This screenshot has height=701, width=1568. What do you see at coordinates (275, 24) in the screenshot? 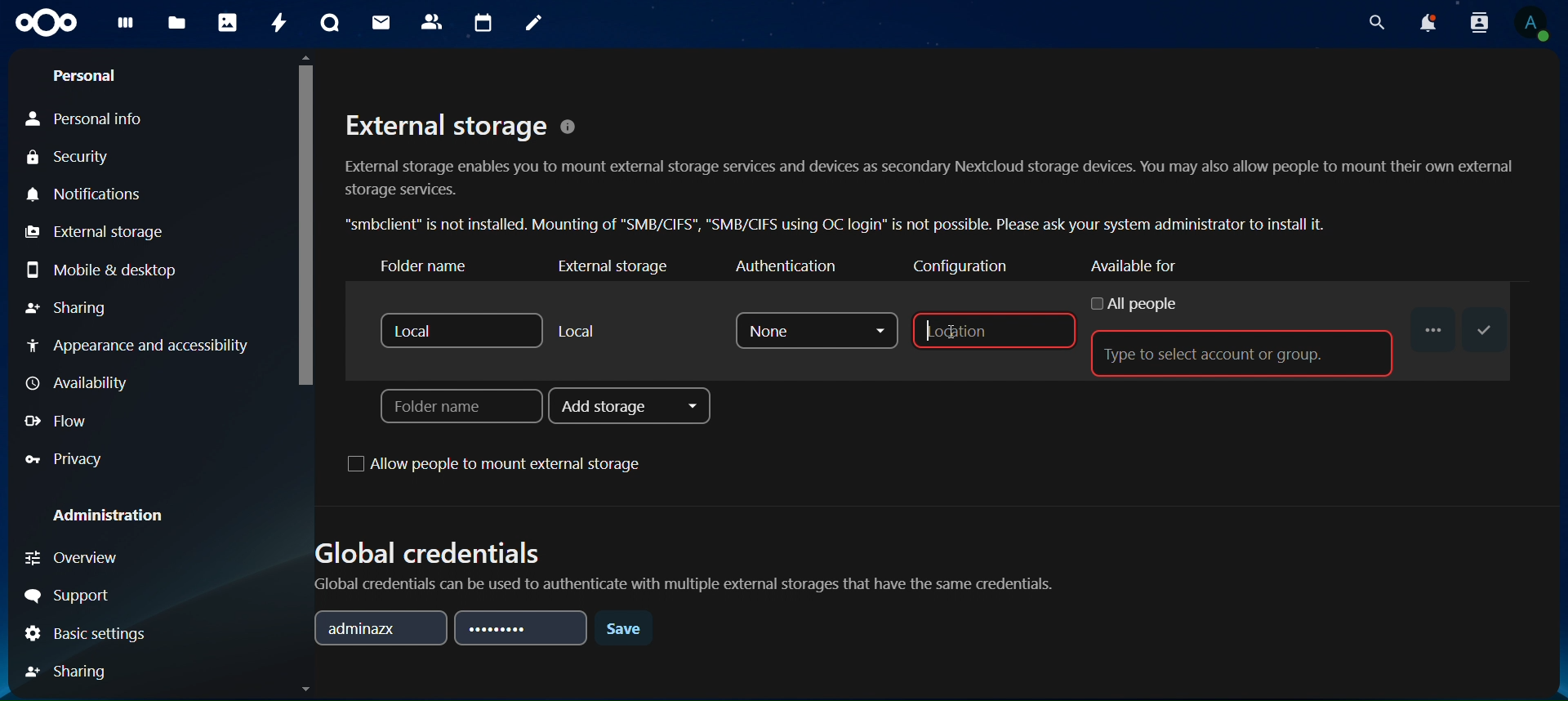
I see `activity` at bounding box center [275, 24].